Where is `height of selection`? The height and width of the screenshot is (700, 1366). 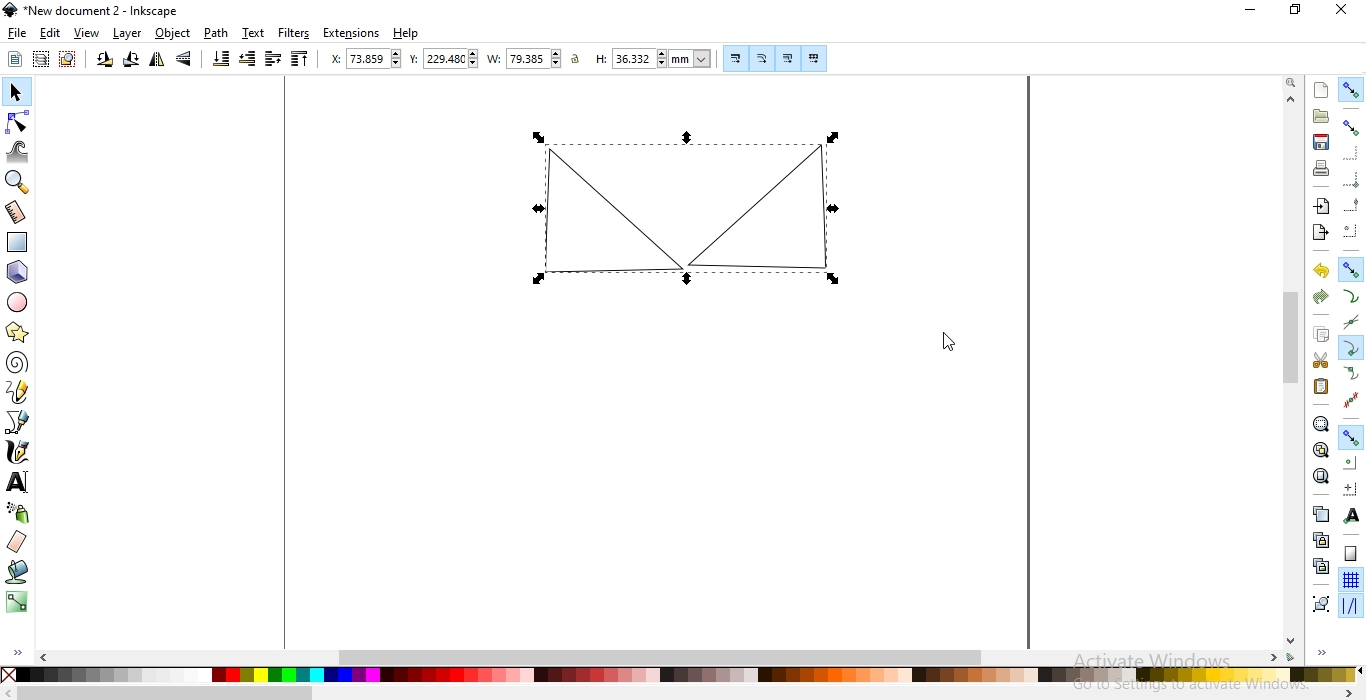
height of selection is located at coordinates (653, 58).